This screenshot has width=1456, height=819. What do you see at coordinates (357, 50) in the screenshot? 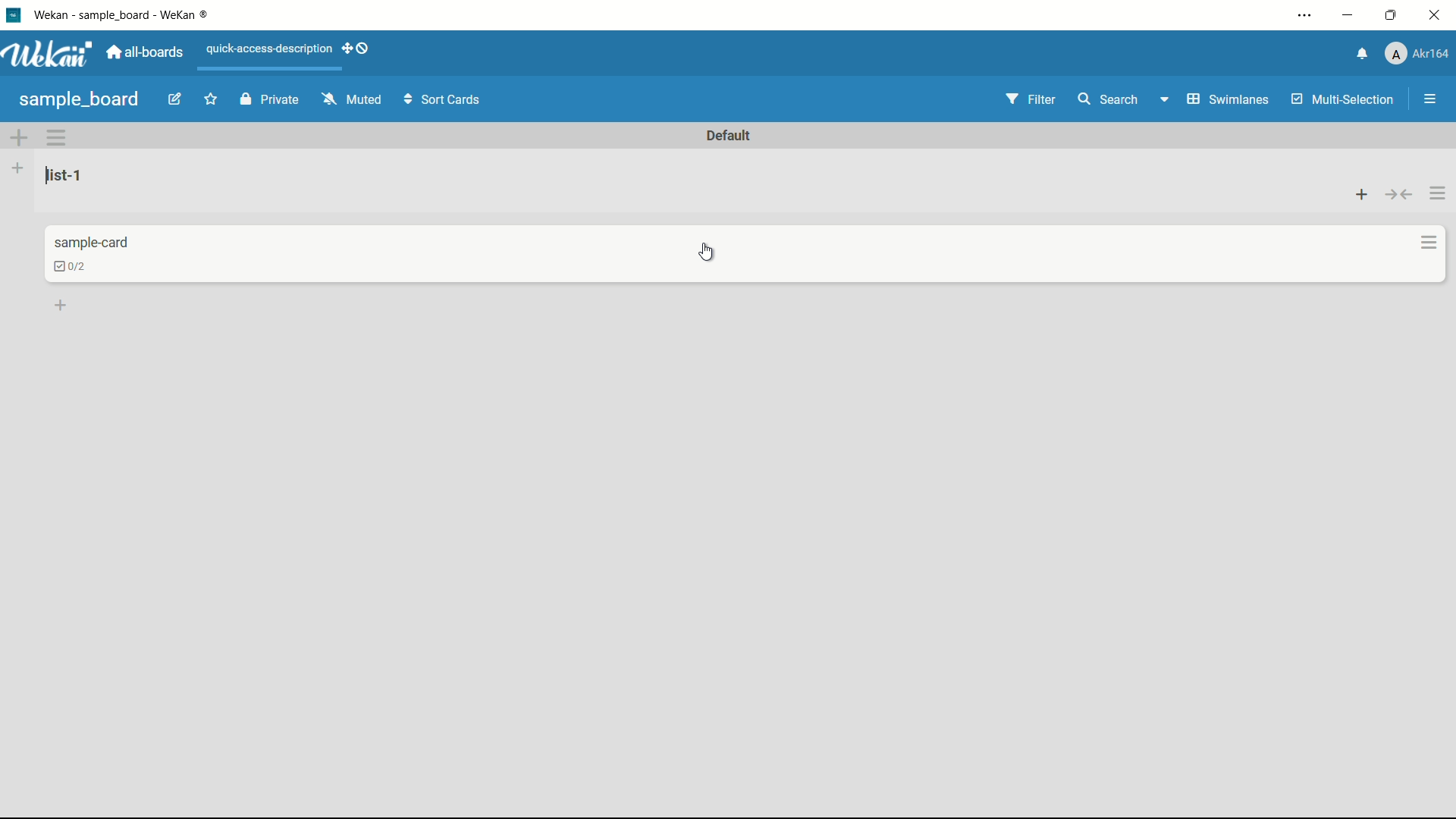
I see `show-desktop-drag-handles` at bounding box center [357, 50].